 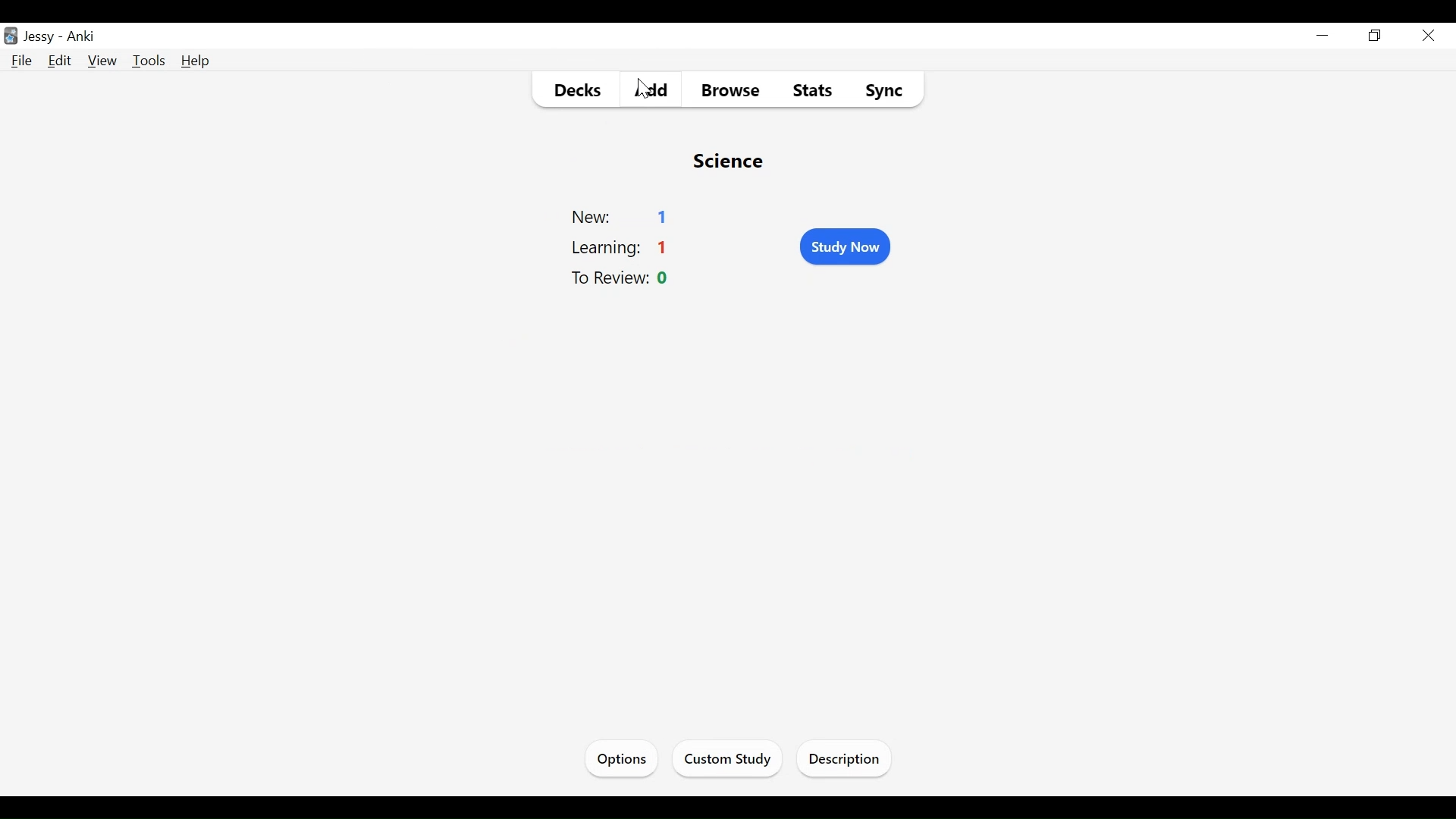 I want to click on File, so click(x=22, y=61).